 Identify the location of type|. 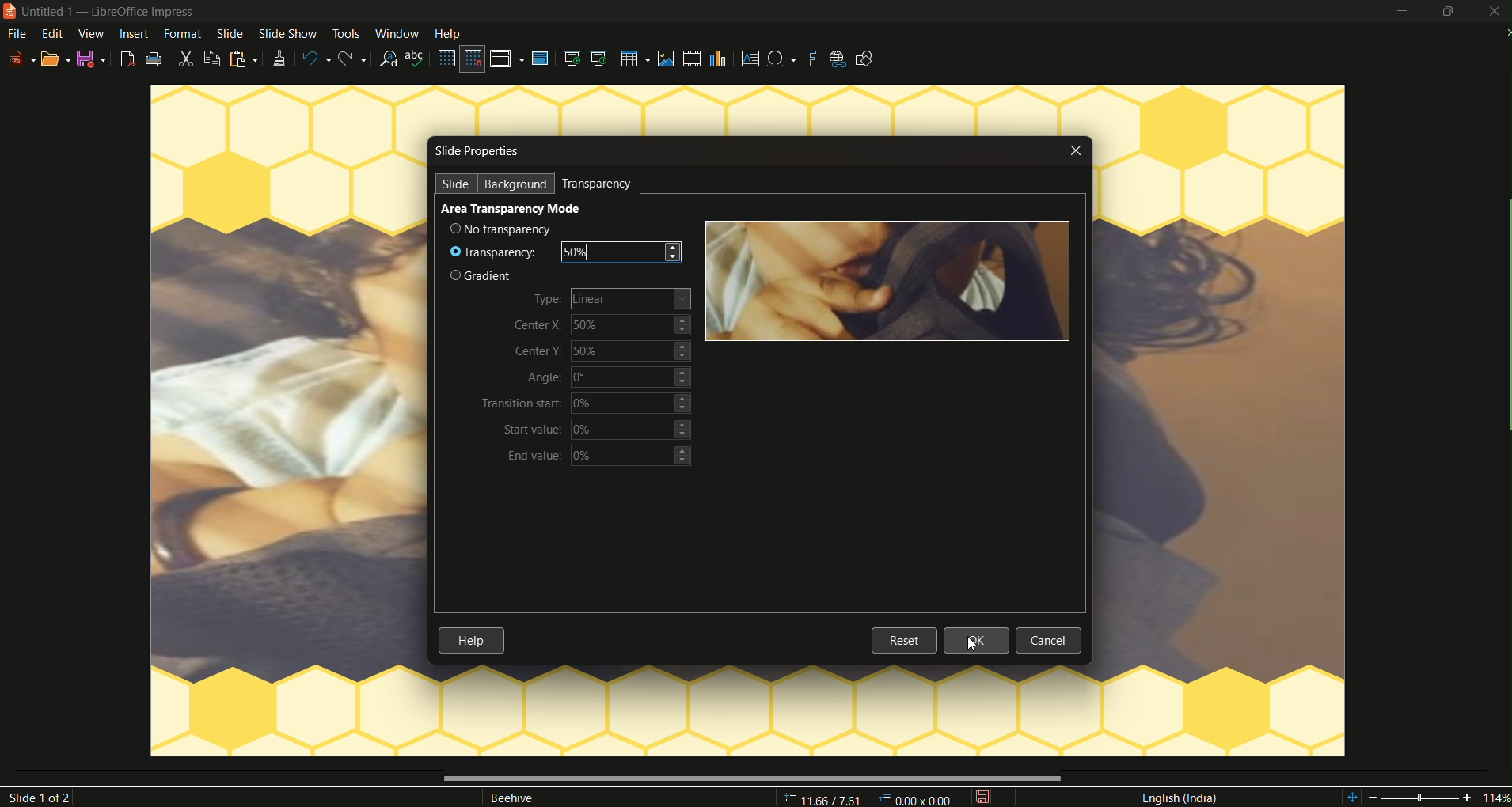
(549, 298).